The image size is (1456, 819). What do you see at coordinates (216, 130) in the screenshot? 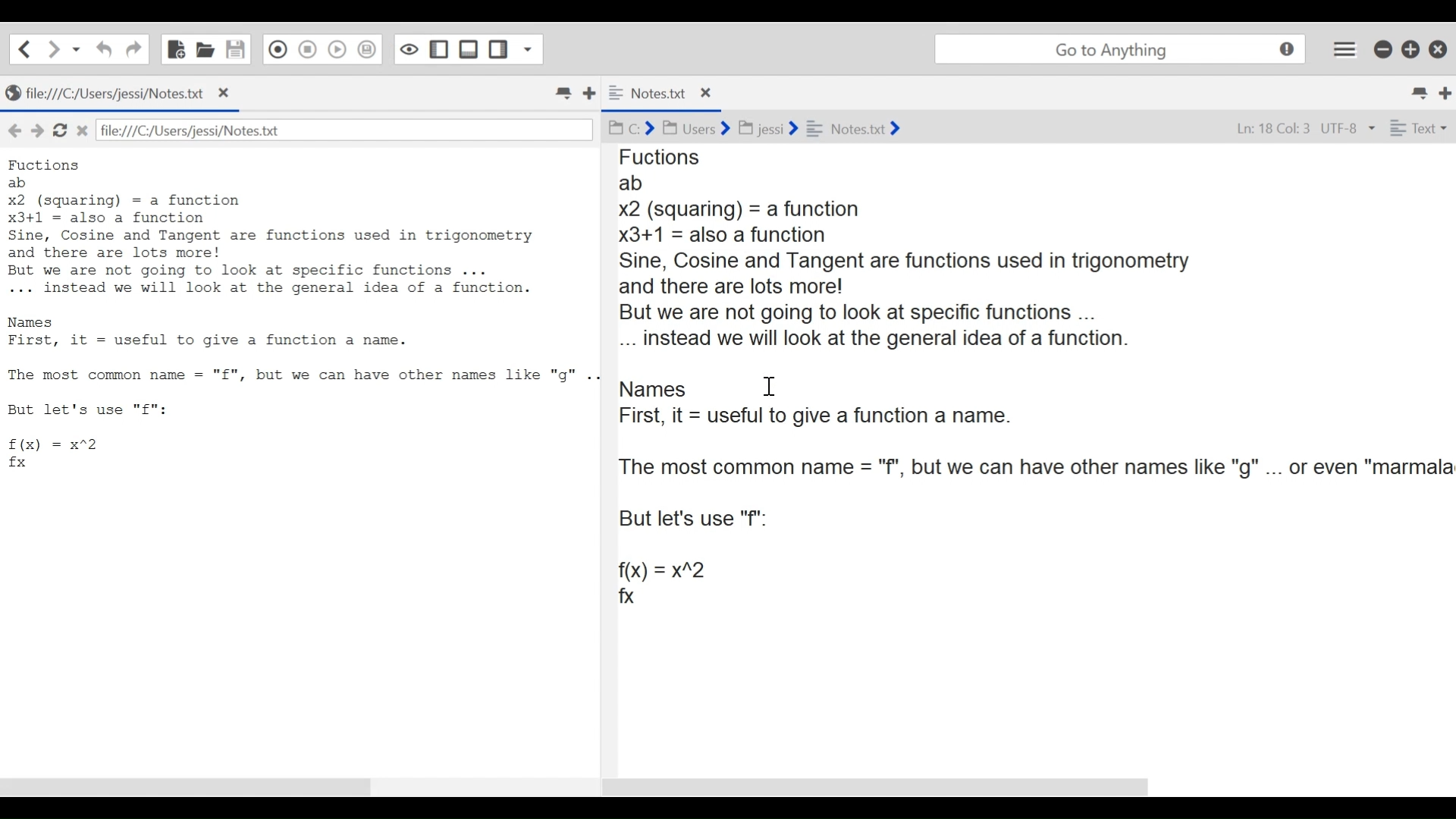
I see `file:///C:/Users/jessi/Notes.txt` at bounding box center [216, 130].